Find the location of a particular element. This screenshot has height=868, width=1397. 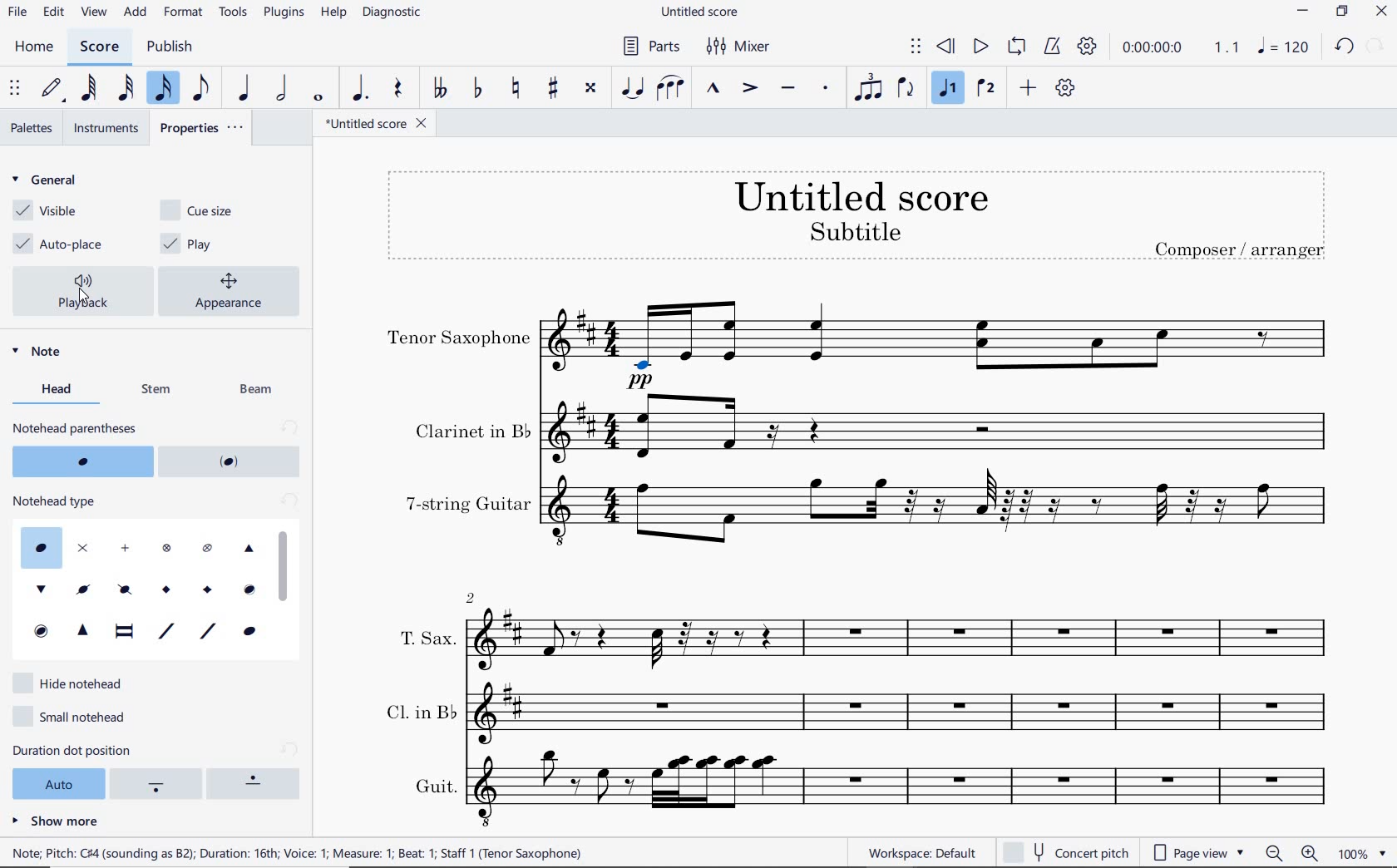

TOGGLE SHARP is located at coordinates (551, 88).